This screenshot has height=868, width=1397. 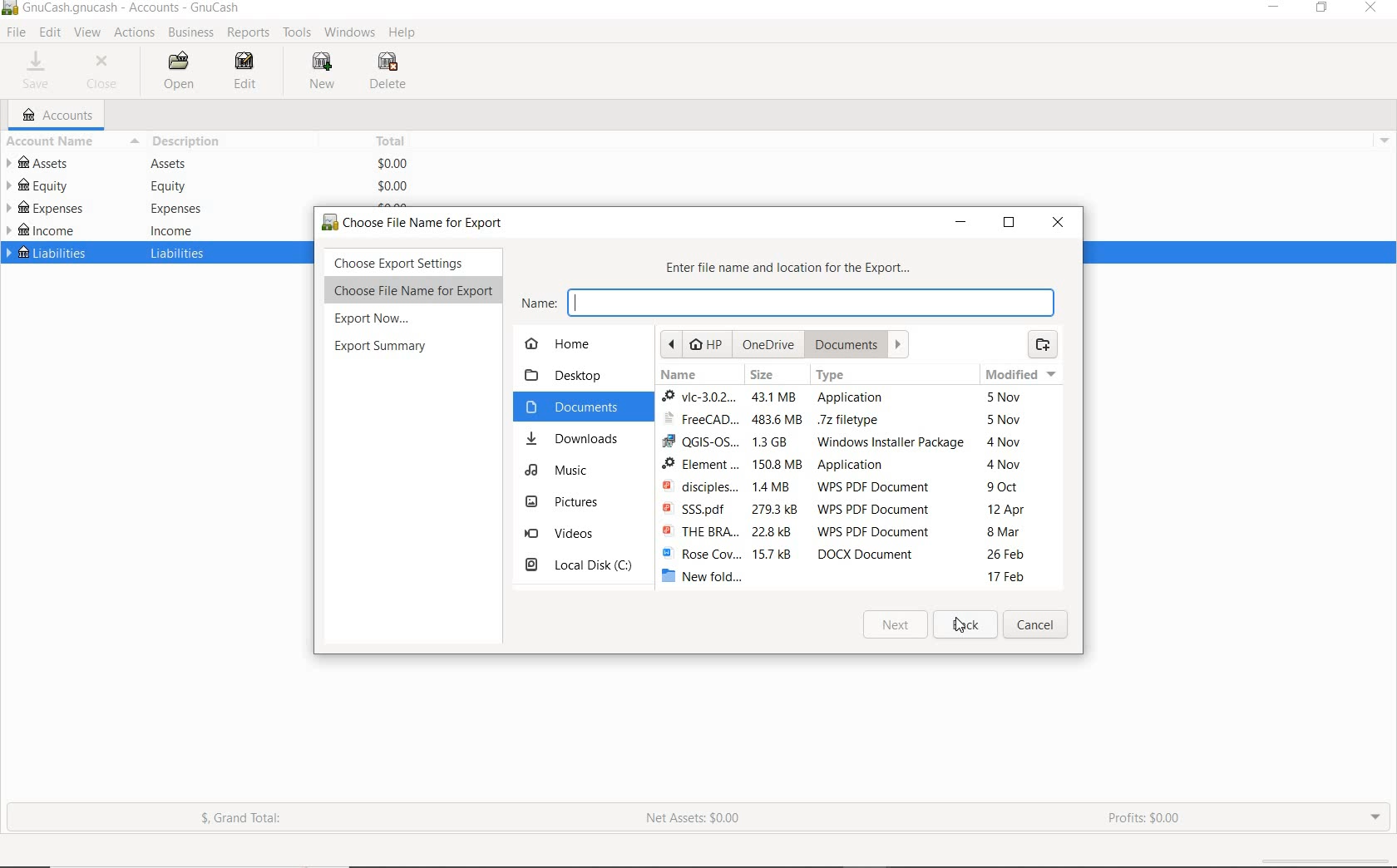 I want to click on ACTIONS, so click(x=135, y=36).